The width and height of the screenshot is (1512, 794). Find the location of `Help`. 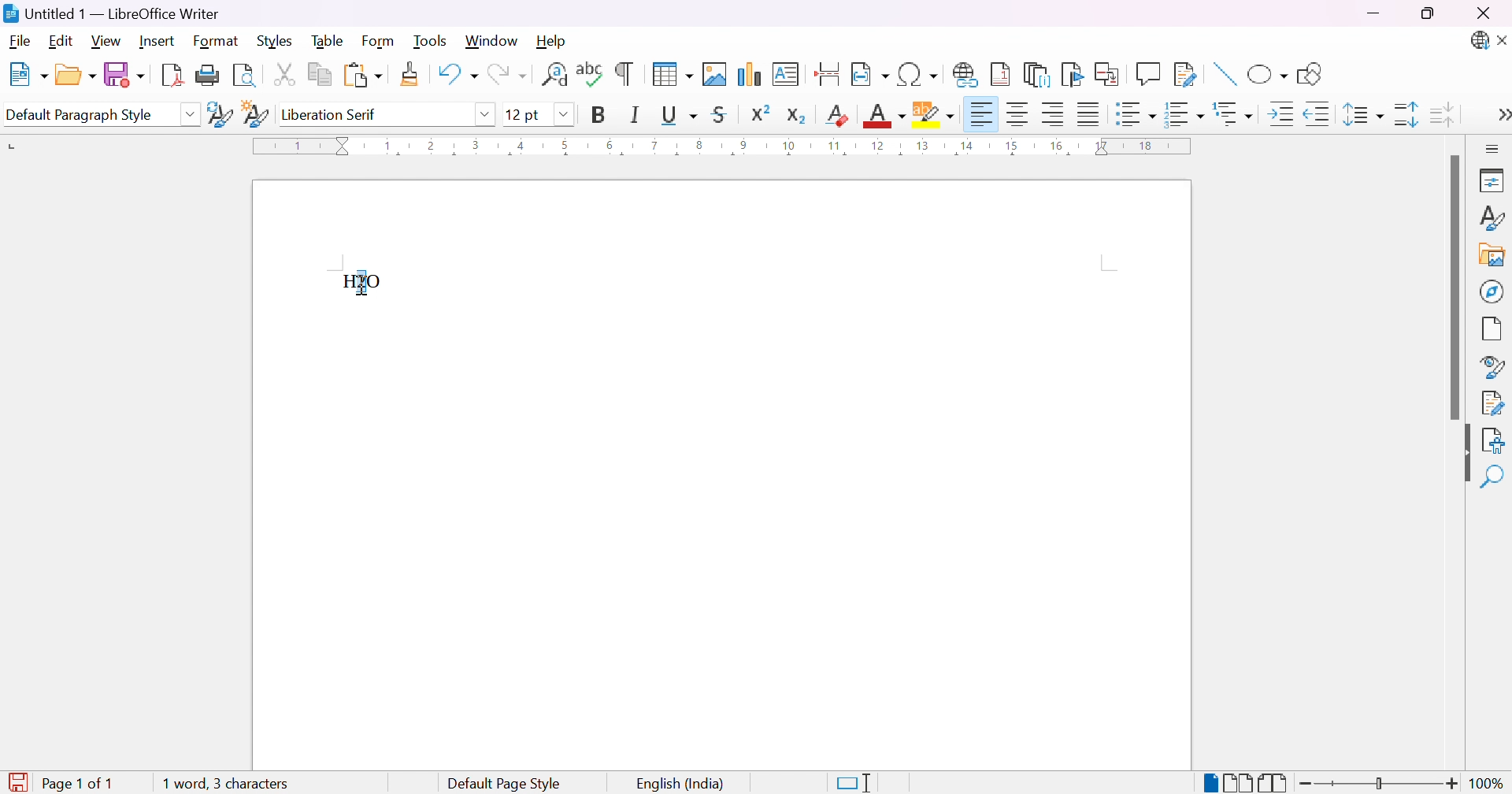

Help is located at coordinates (552, 39).